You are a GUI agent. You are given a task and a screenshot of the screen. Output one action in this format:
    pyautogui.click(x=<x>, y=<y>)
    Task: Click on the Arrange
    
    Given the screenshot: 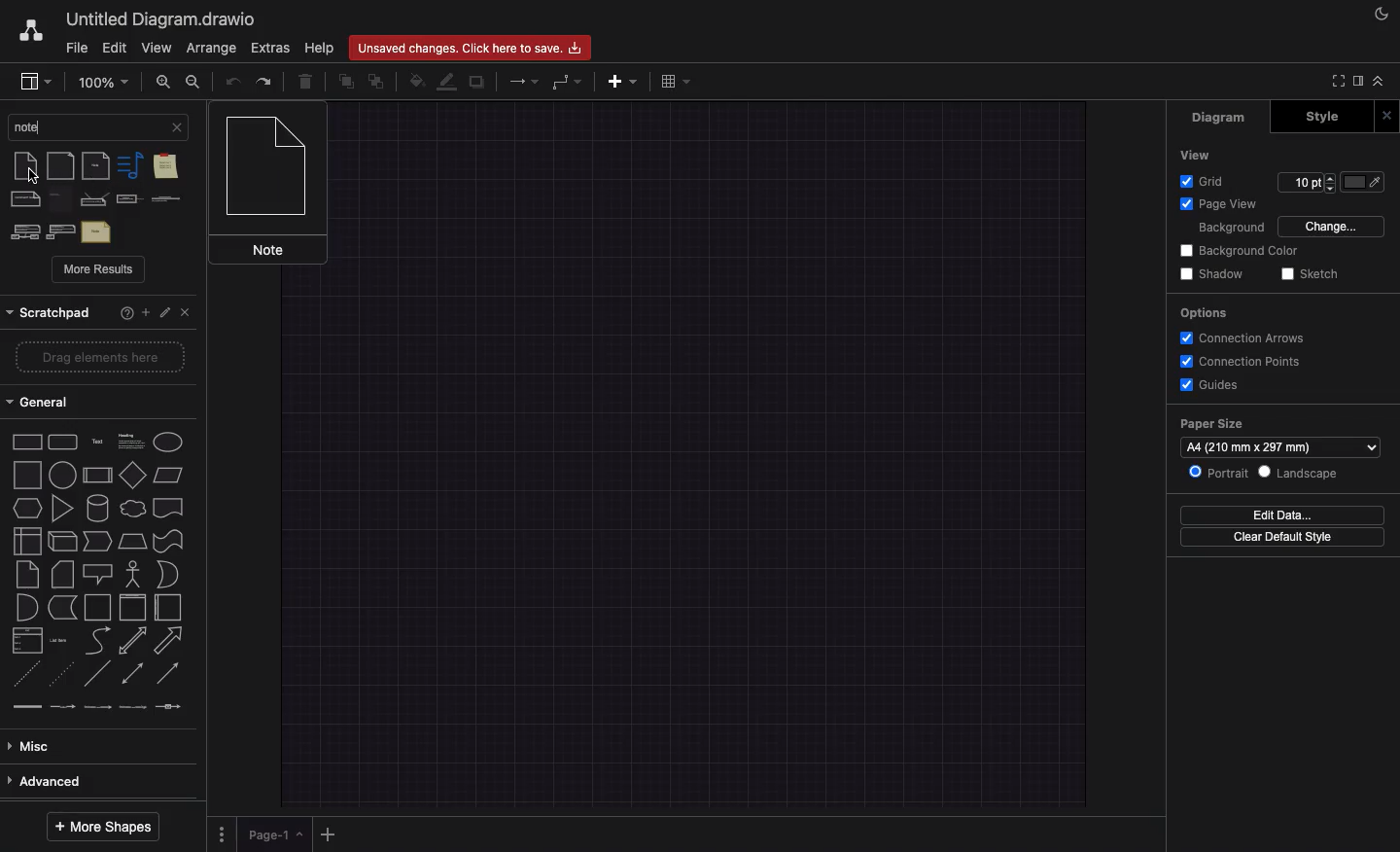 What is the action you would take?
    pyautogui.click(x=211, y=48)
    